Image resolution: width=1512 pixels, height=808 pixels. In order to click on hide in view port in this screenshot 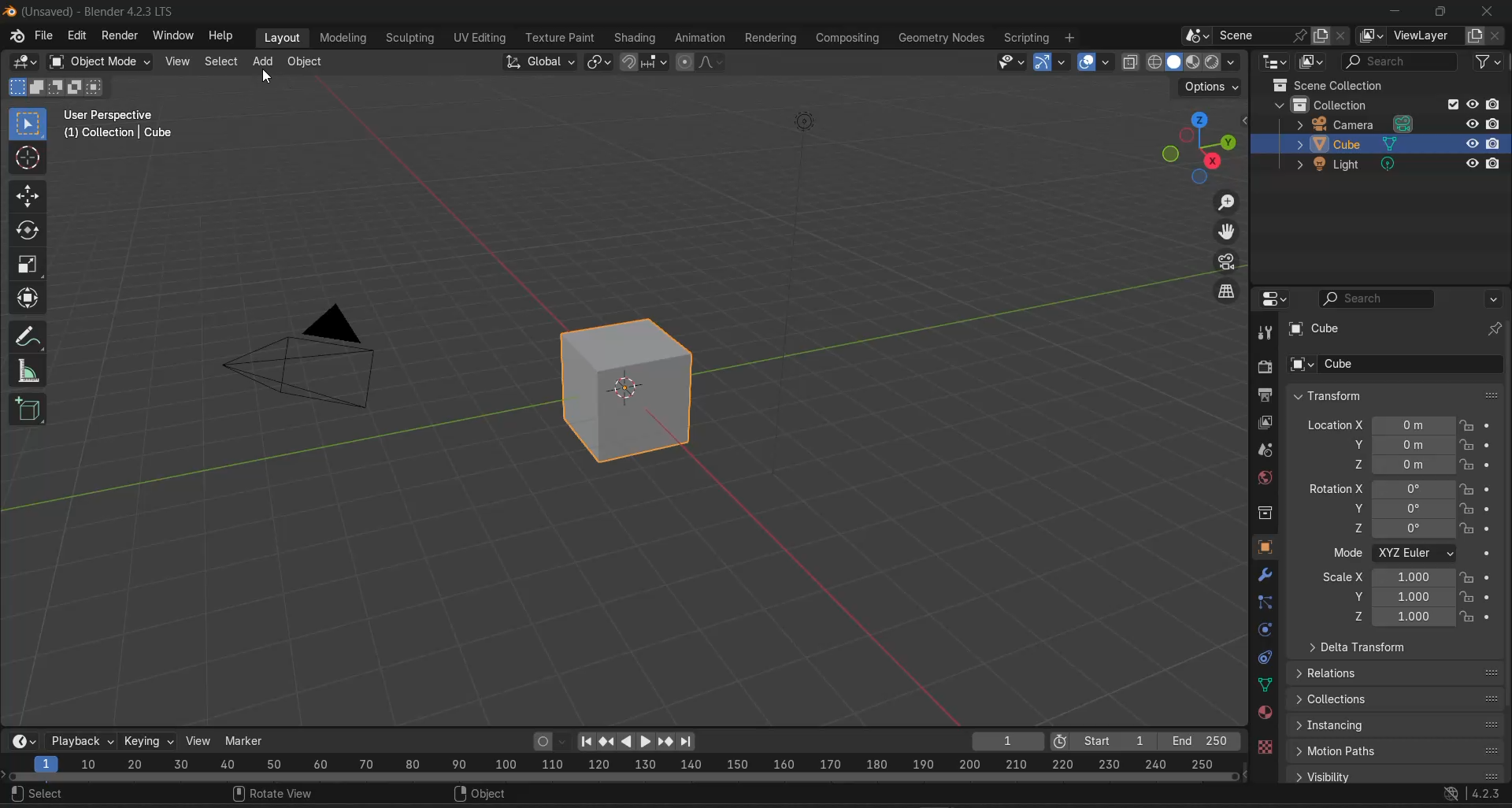, I will do `click(1473, 105)`.